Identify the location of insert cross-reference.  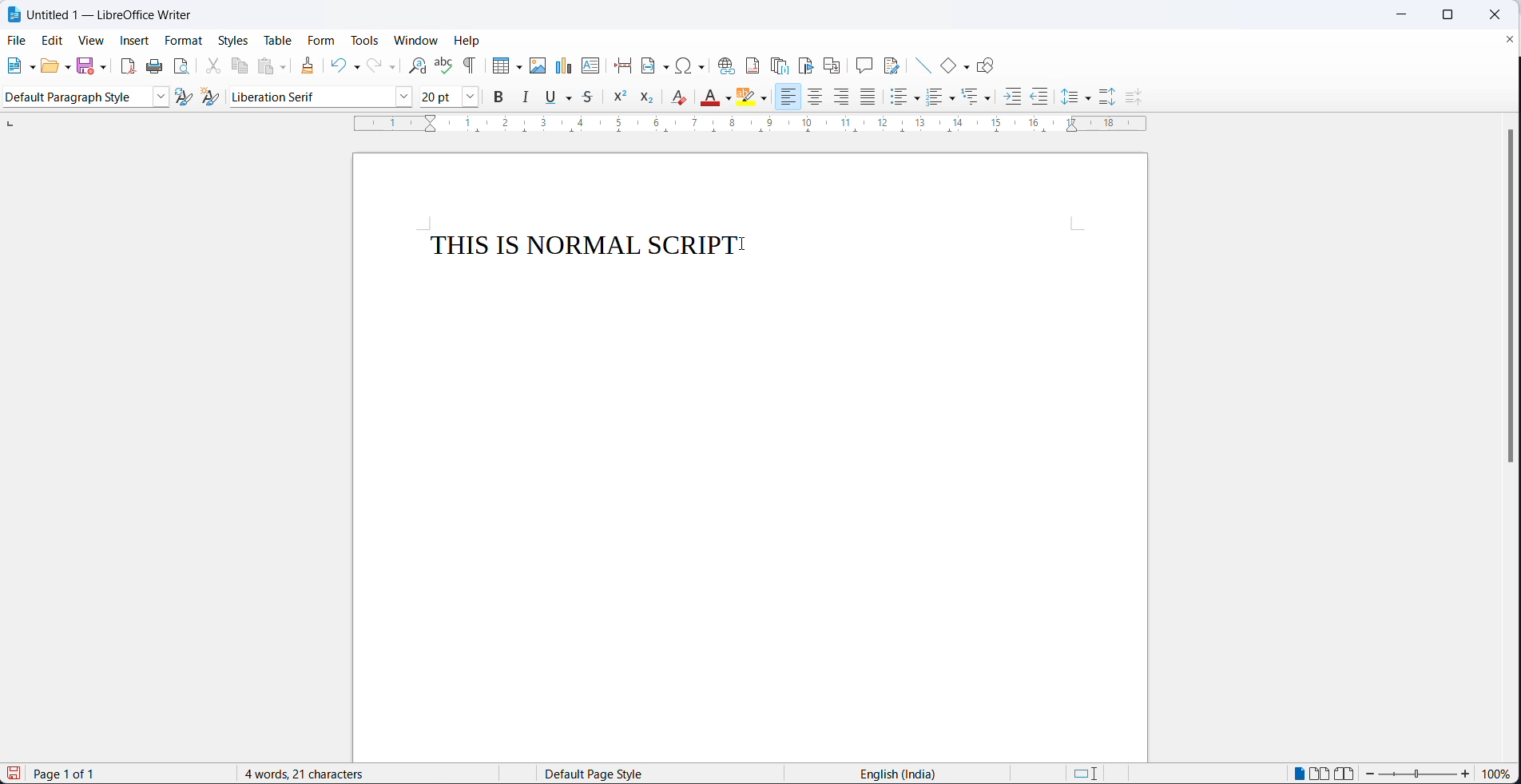
(832, 63).